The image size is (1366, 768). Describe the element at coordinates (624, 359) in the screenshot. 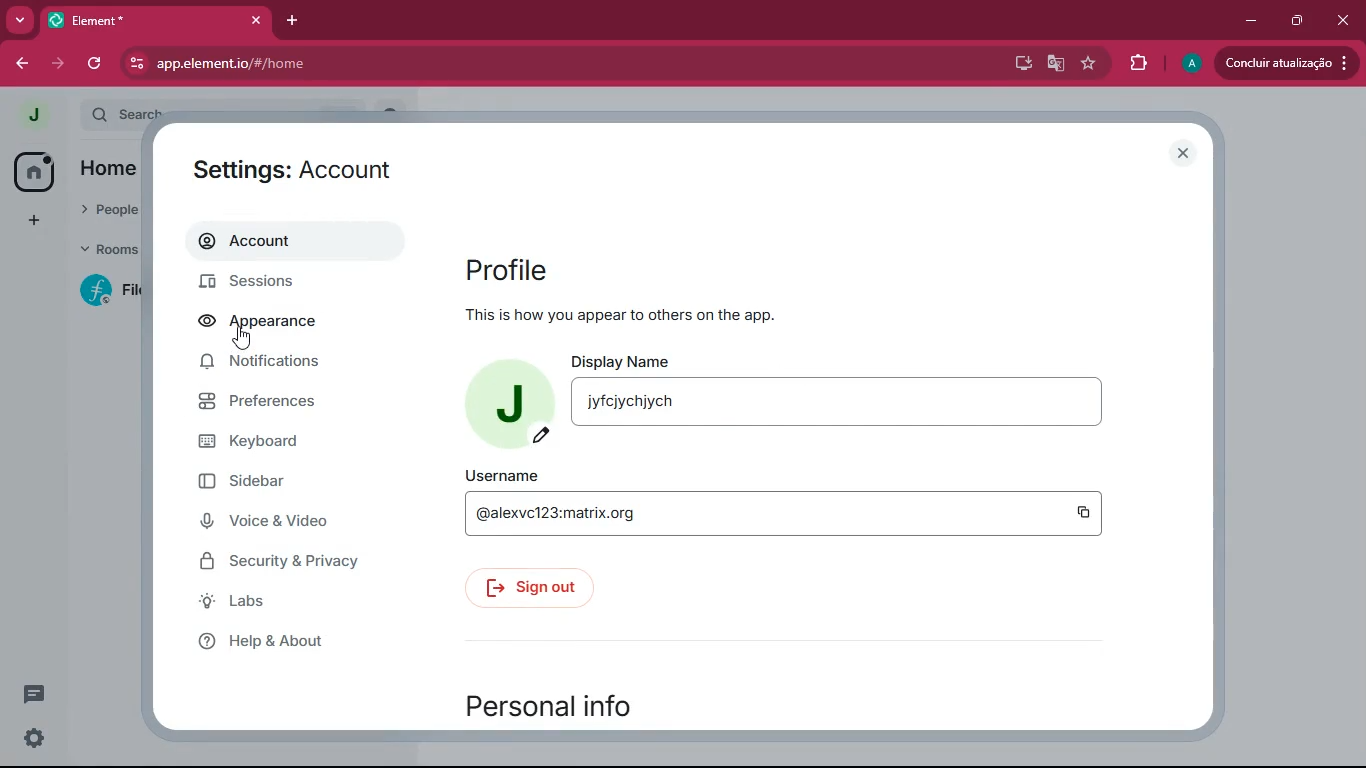

I see `Display Name` at that location.